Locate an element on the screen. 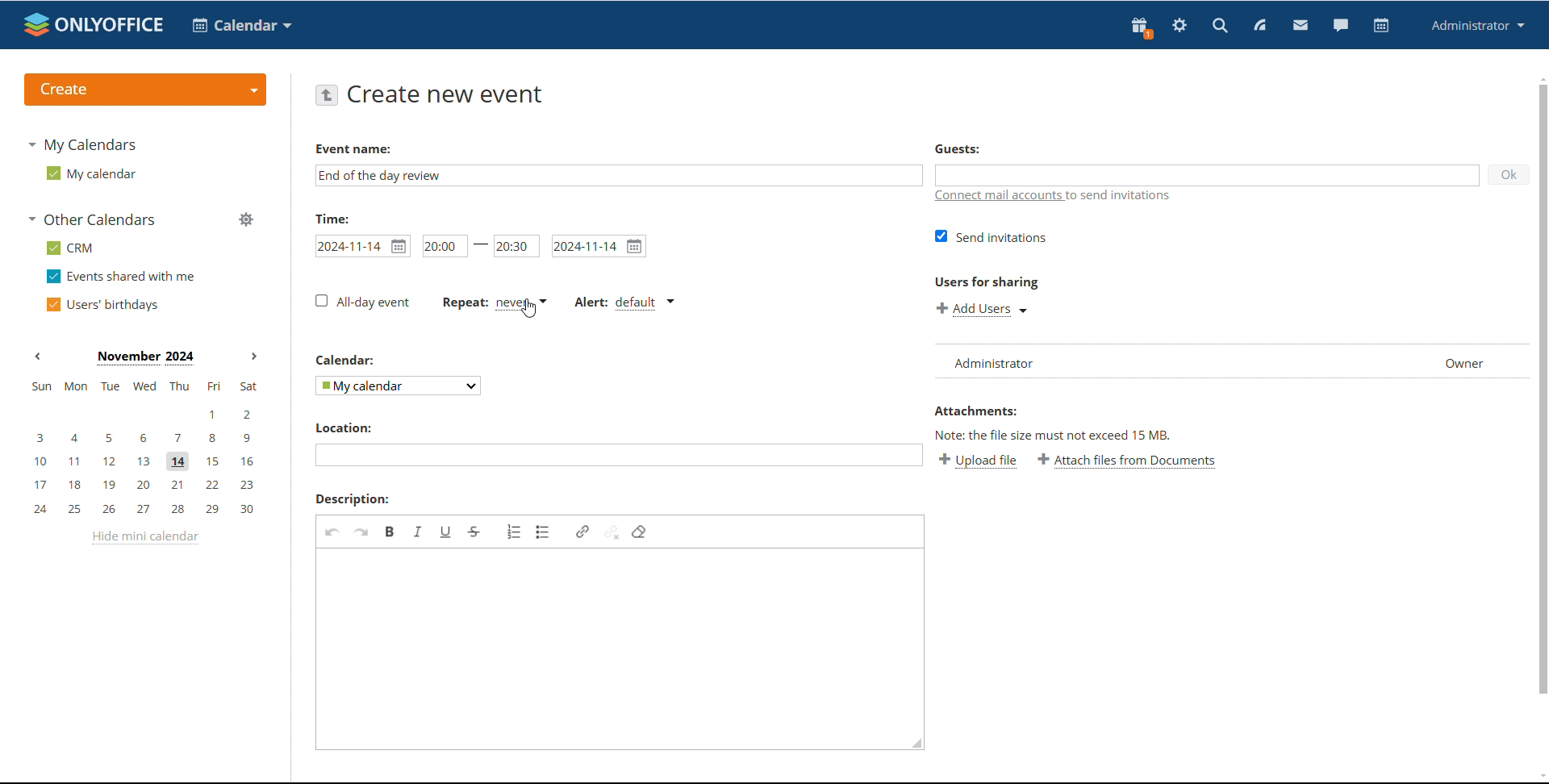  settings is located at coordinates (1179, 27).